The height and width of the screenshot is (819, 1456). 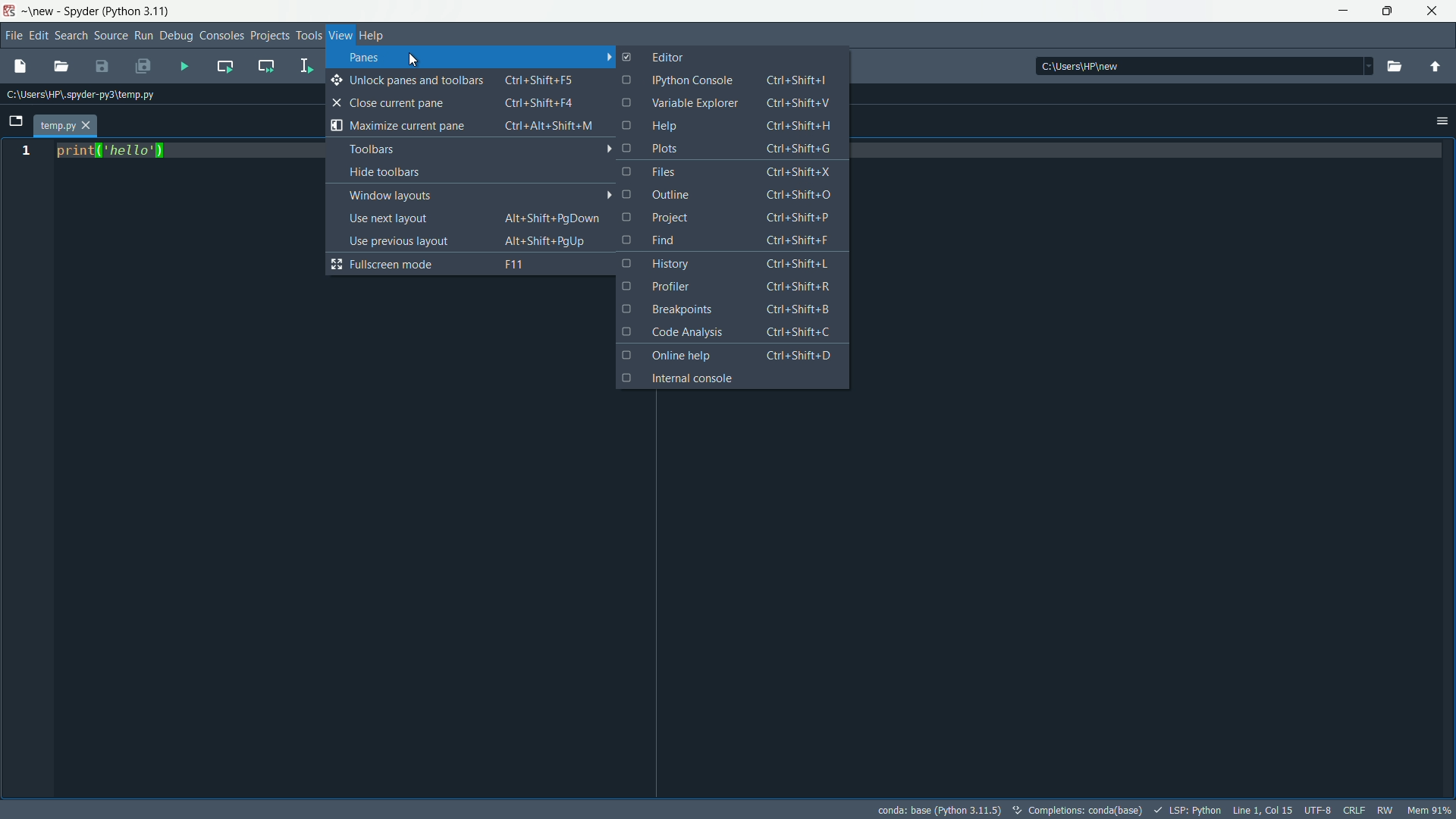 I want to click on window layouts, so click(x=479, y=195).